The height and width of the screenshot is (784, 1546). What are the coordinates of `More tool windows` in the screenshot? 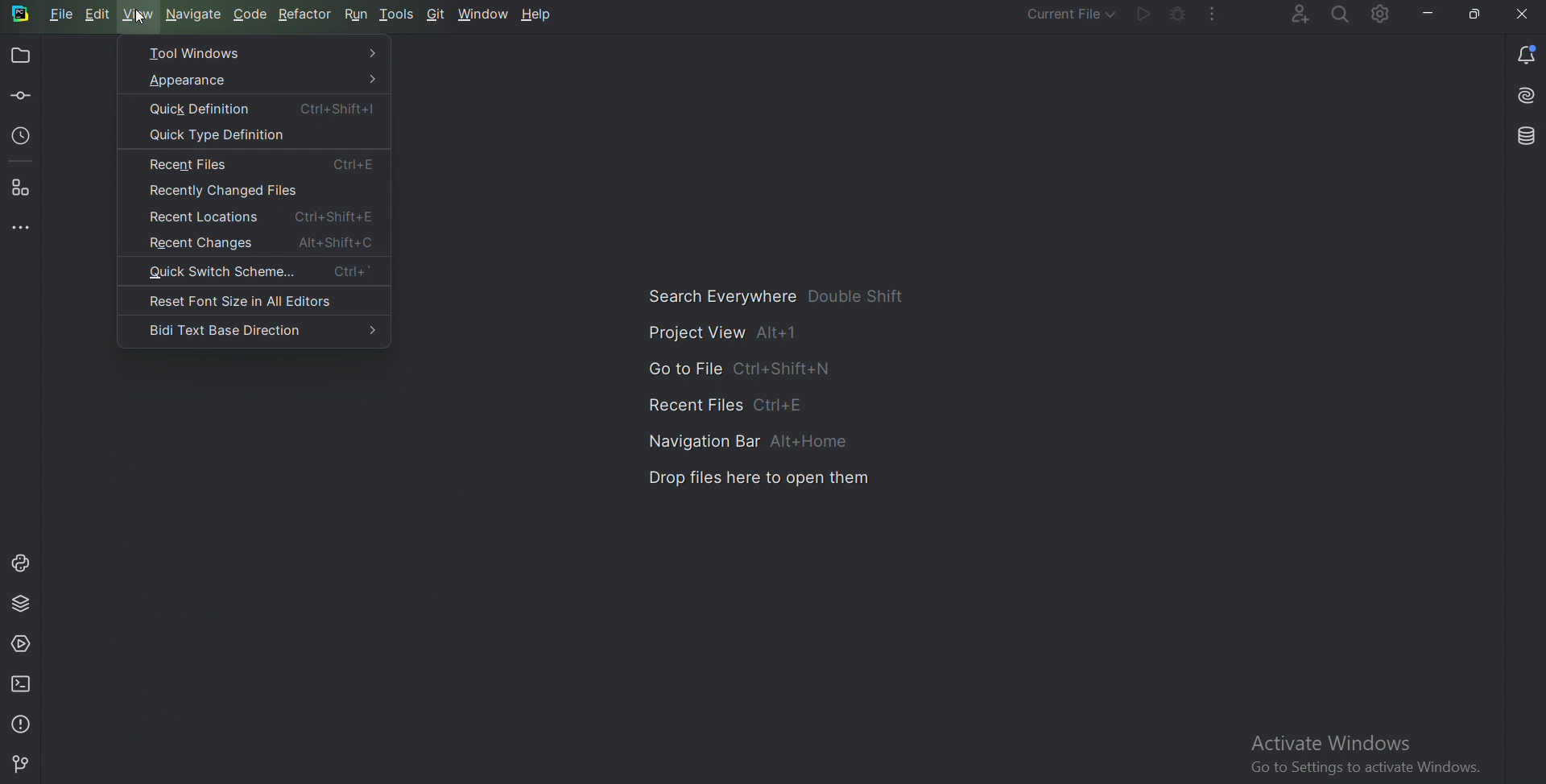 It's located at (21, 229).